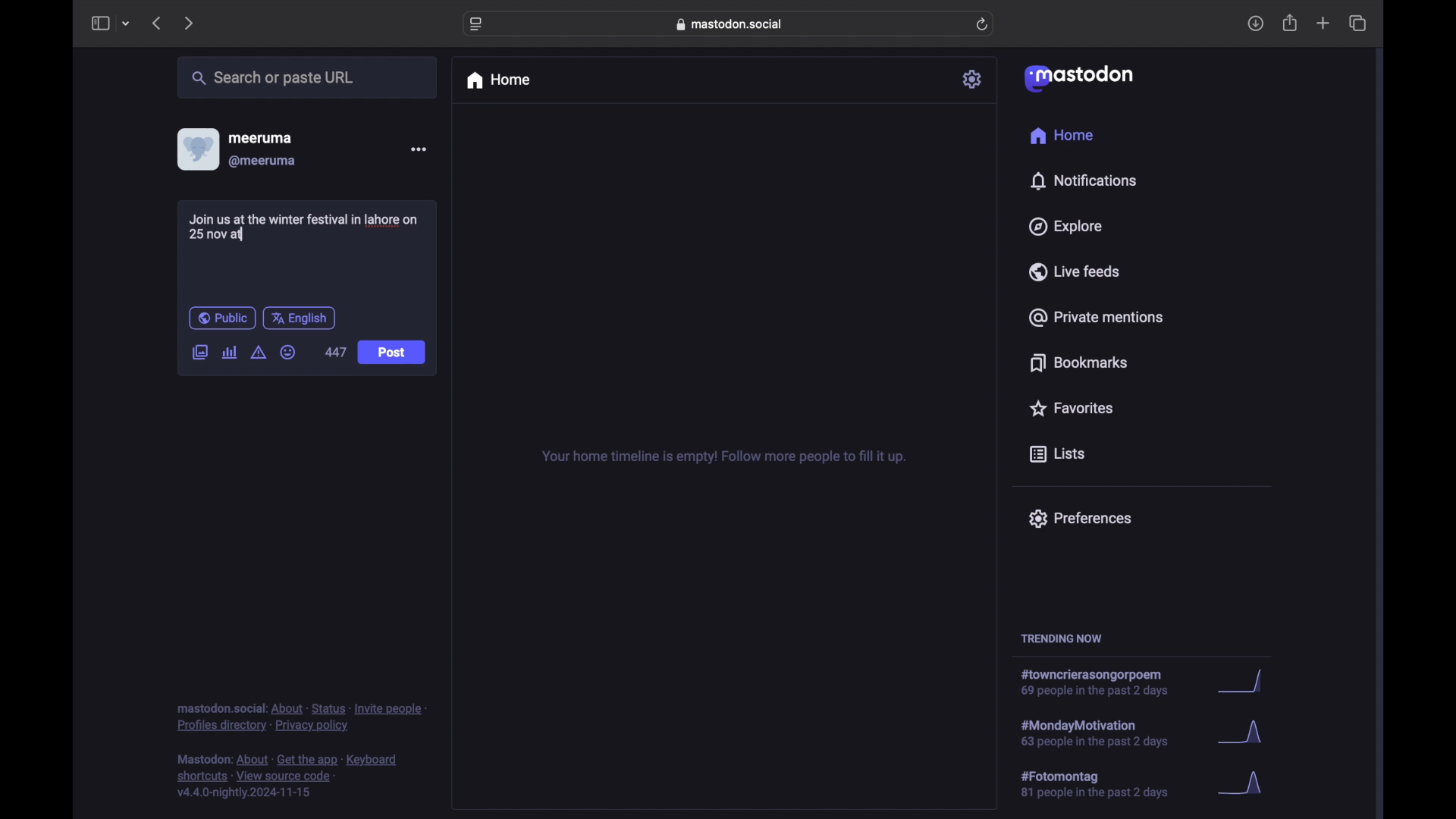 The height and width of the screenshot is (819, 1456). Describe the element at coordinates (1323, 23) in the screenshot. I see `new tab` at that location.